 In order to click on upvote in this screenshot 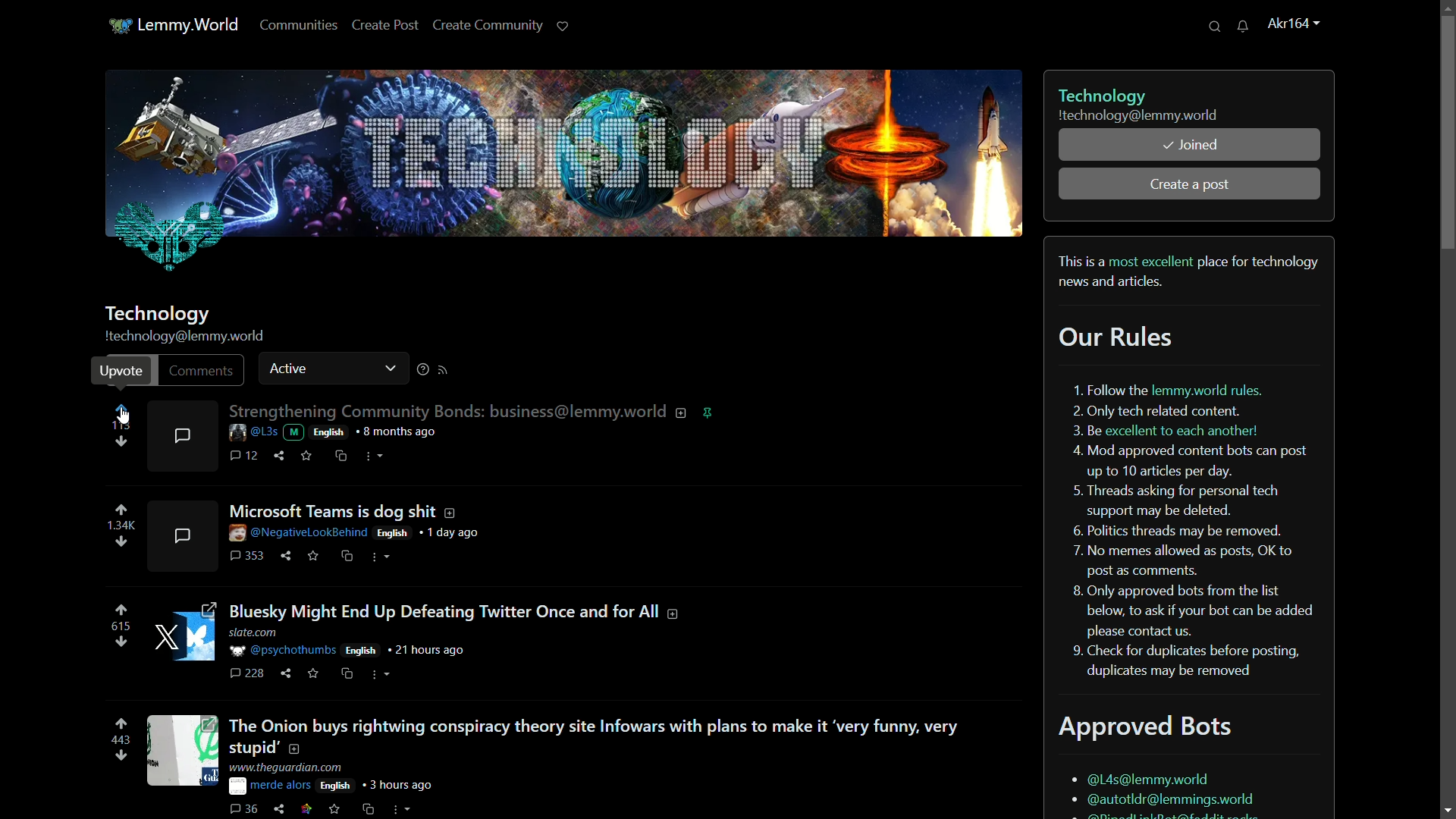, I will do `click(121, 610)`.